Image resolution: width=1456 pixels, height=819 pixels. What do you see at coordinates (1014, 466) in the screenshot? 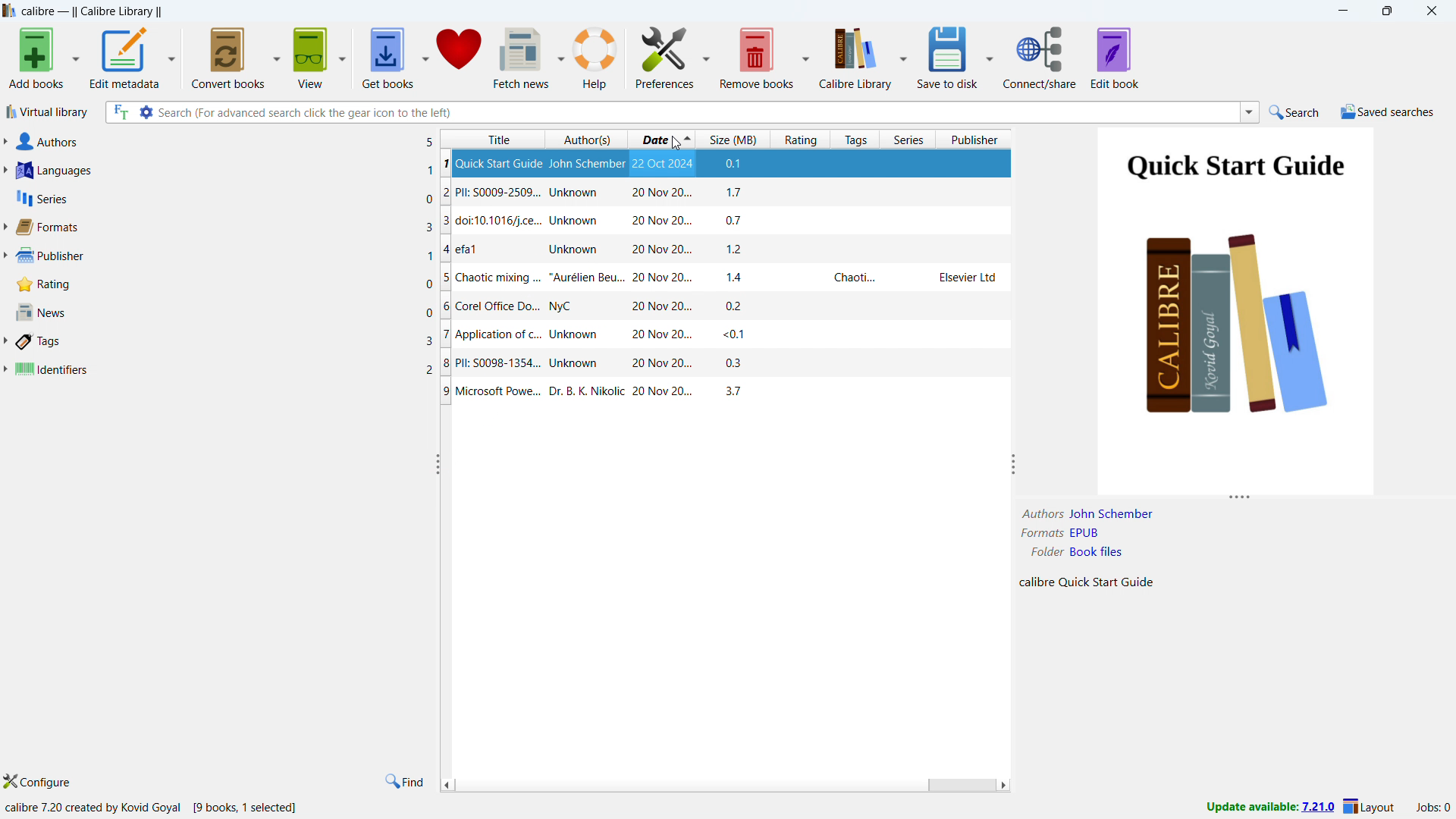
I see `resize` at bounding box center [1014, 466].